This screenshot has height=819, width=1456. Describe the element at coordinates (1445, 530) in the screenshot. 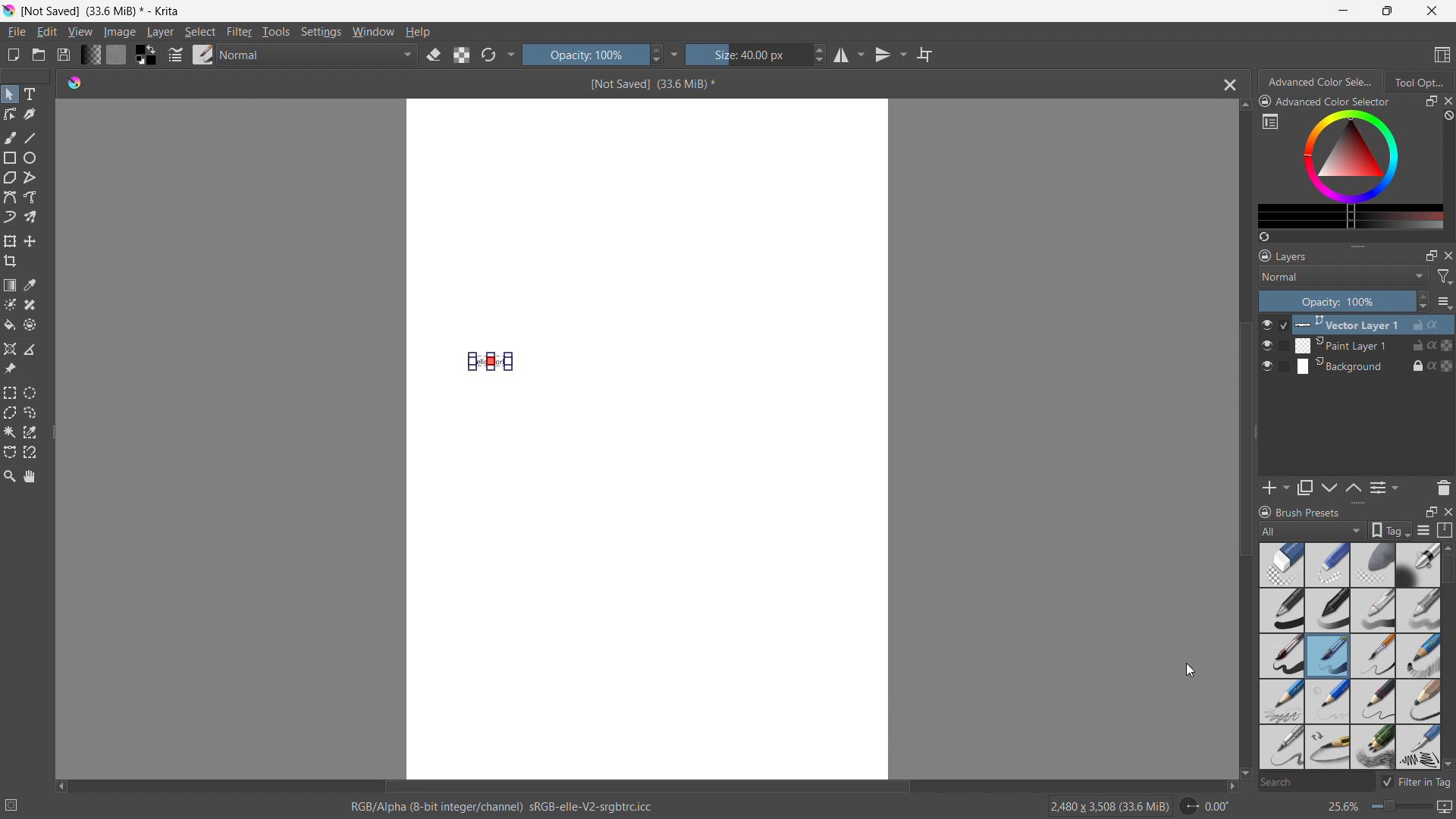

I see `storage resource` at that location.